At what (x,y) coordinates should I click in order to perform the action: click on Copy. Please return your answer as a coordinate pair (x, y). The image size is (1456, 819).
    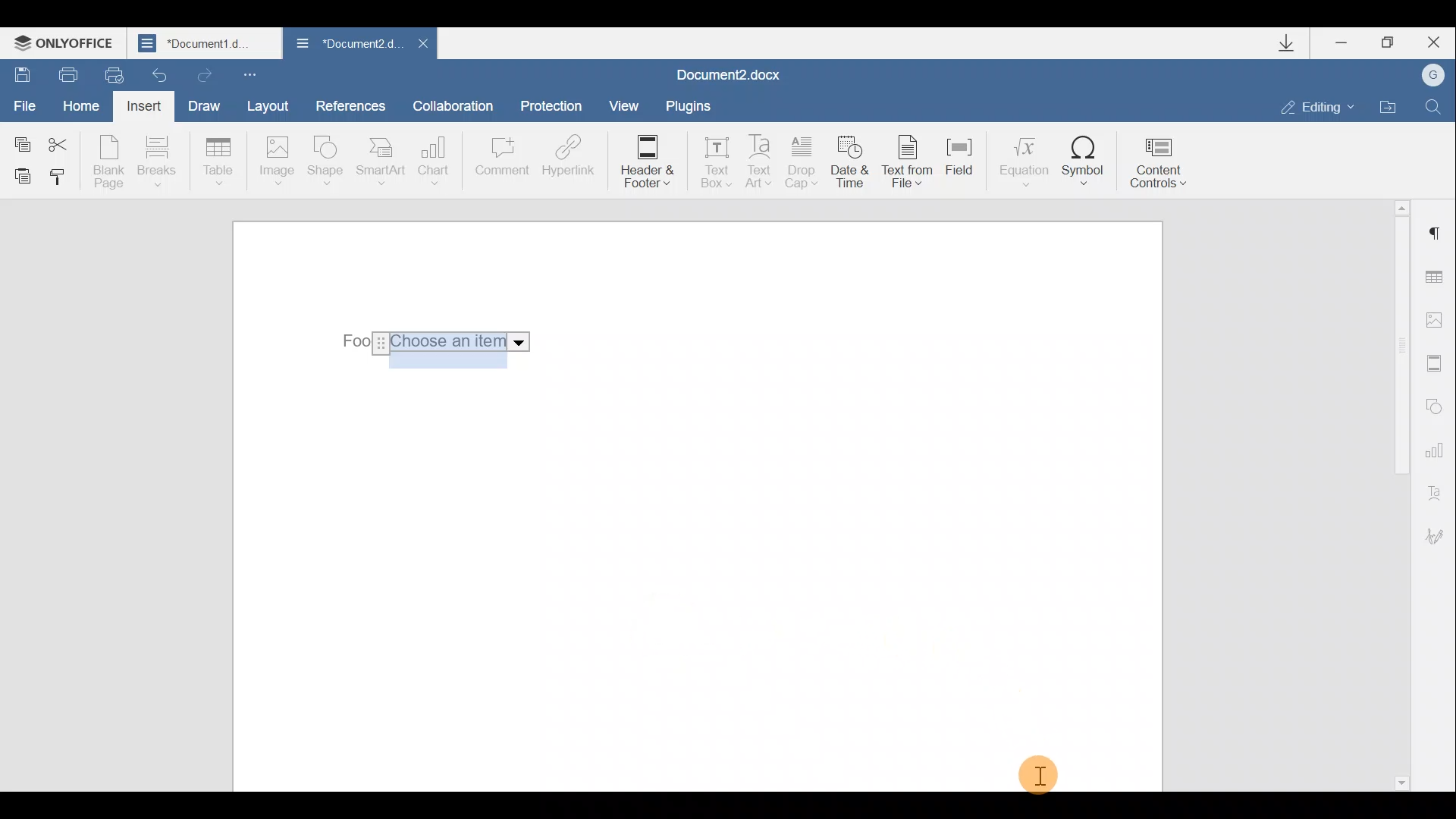
    Looking at the image, I should click on (21, 141).